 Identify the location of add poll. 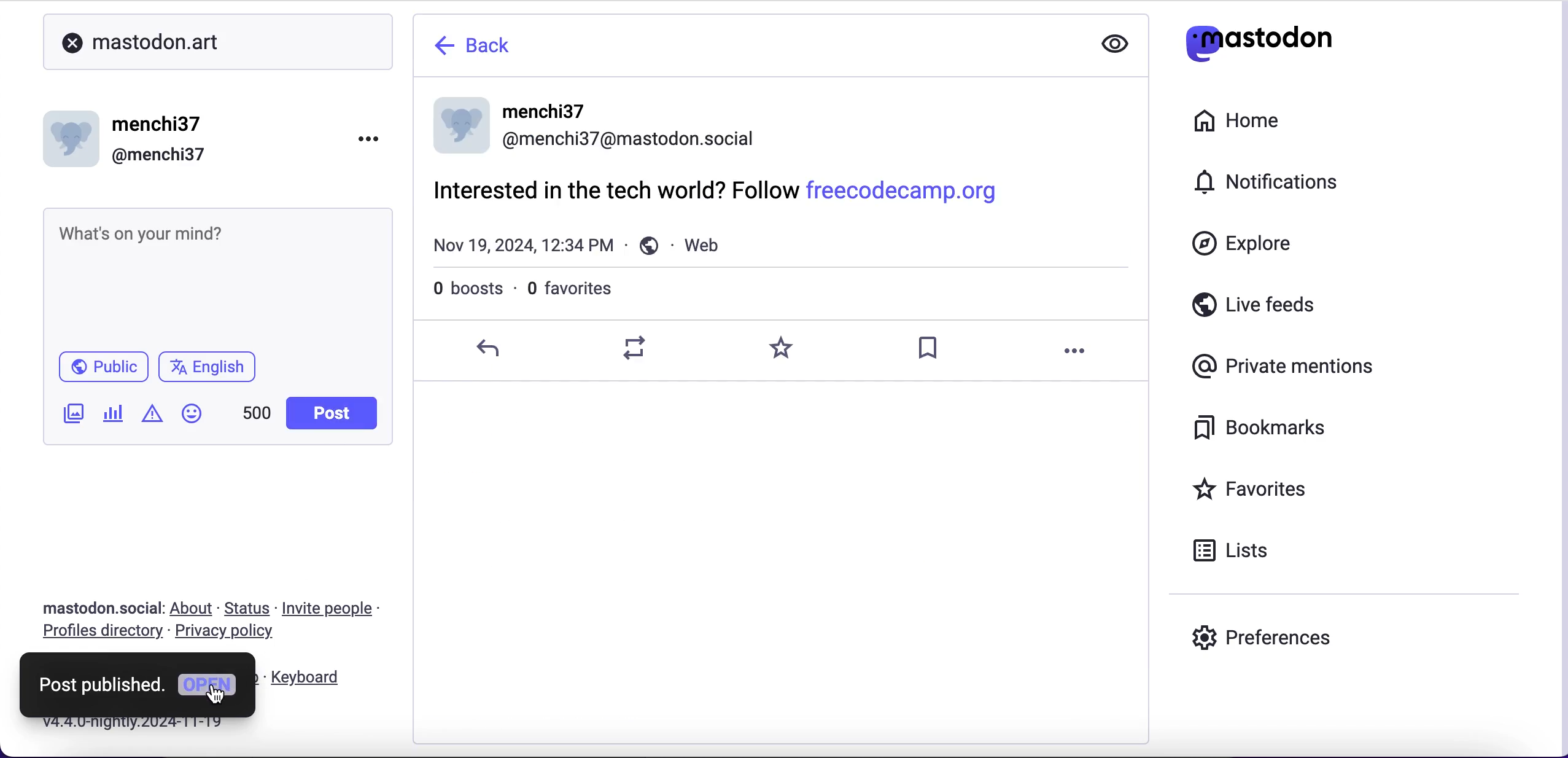
(117, 417).